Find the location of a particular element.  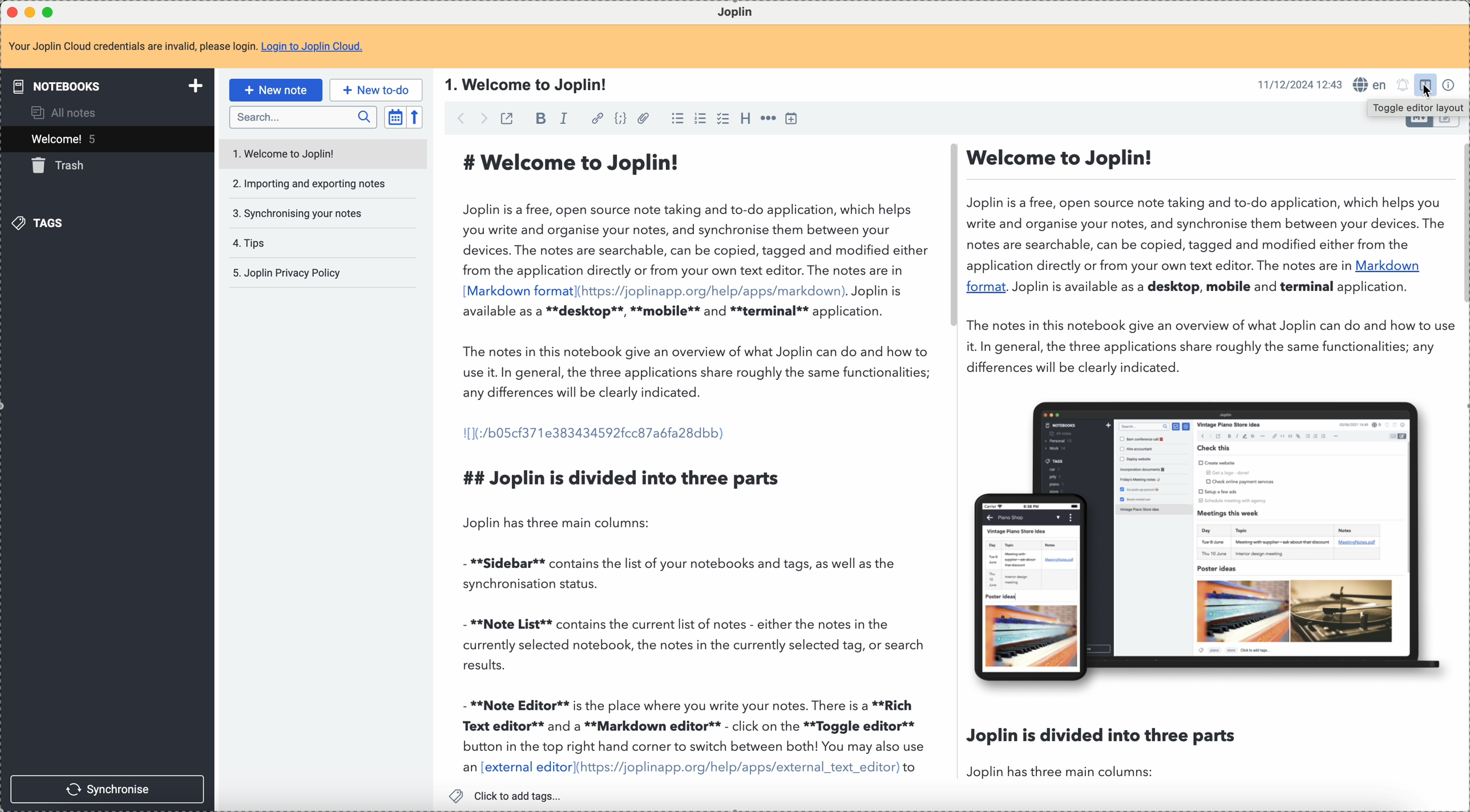

Joplin is located at coordinates (736, 11).